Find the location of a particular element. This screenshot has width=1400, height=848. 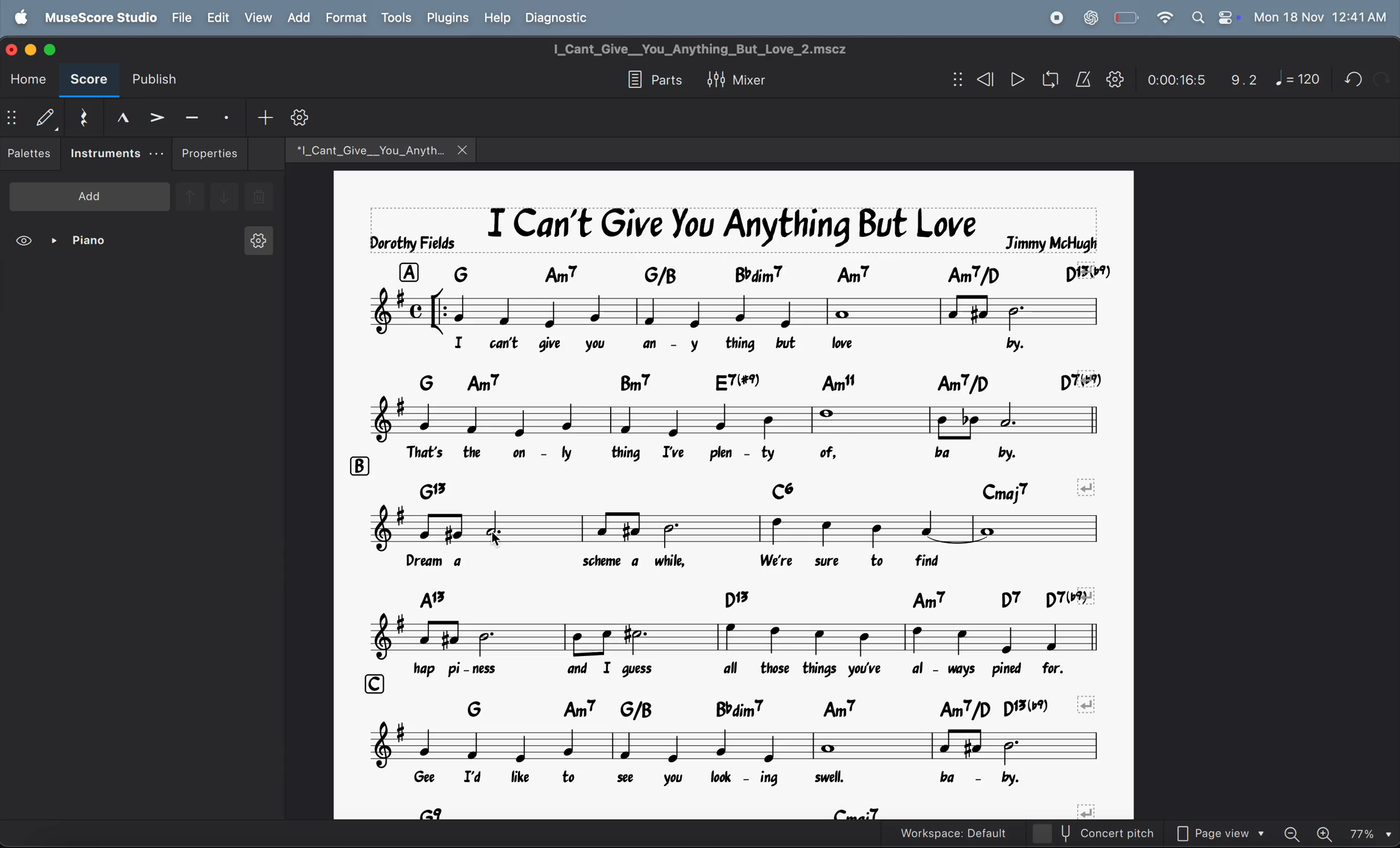

close is located at coordinates (14, 51).